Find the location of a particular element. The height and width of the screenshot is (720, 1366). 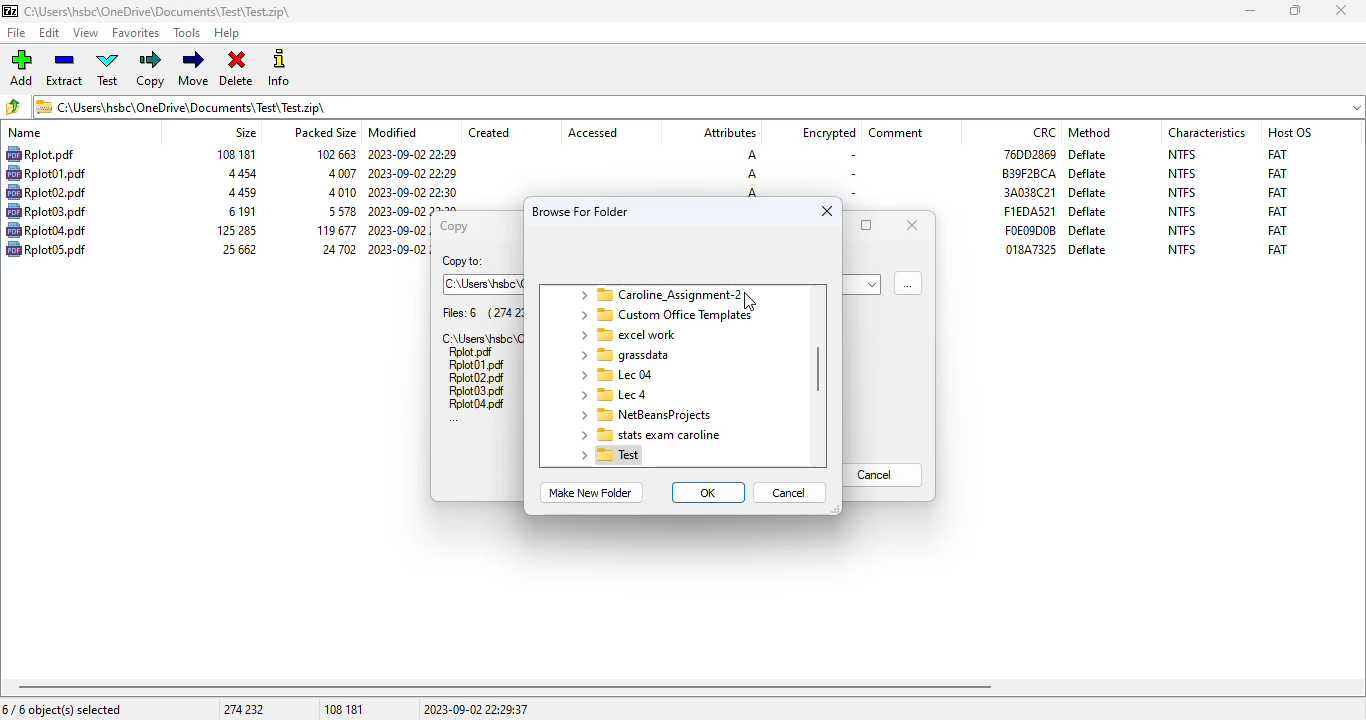

copy to:  is located at coordinates (462, 262).